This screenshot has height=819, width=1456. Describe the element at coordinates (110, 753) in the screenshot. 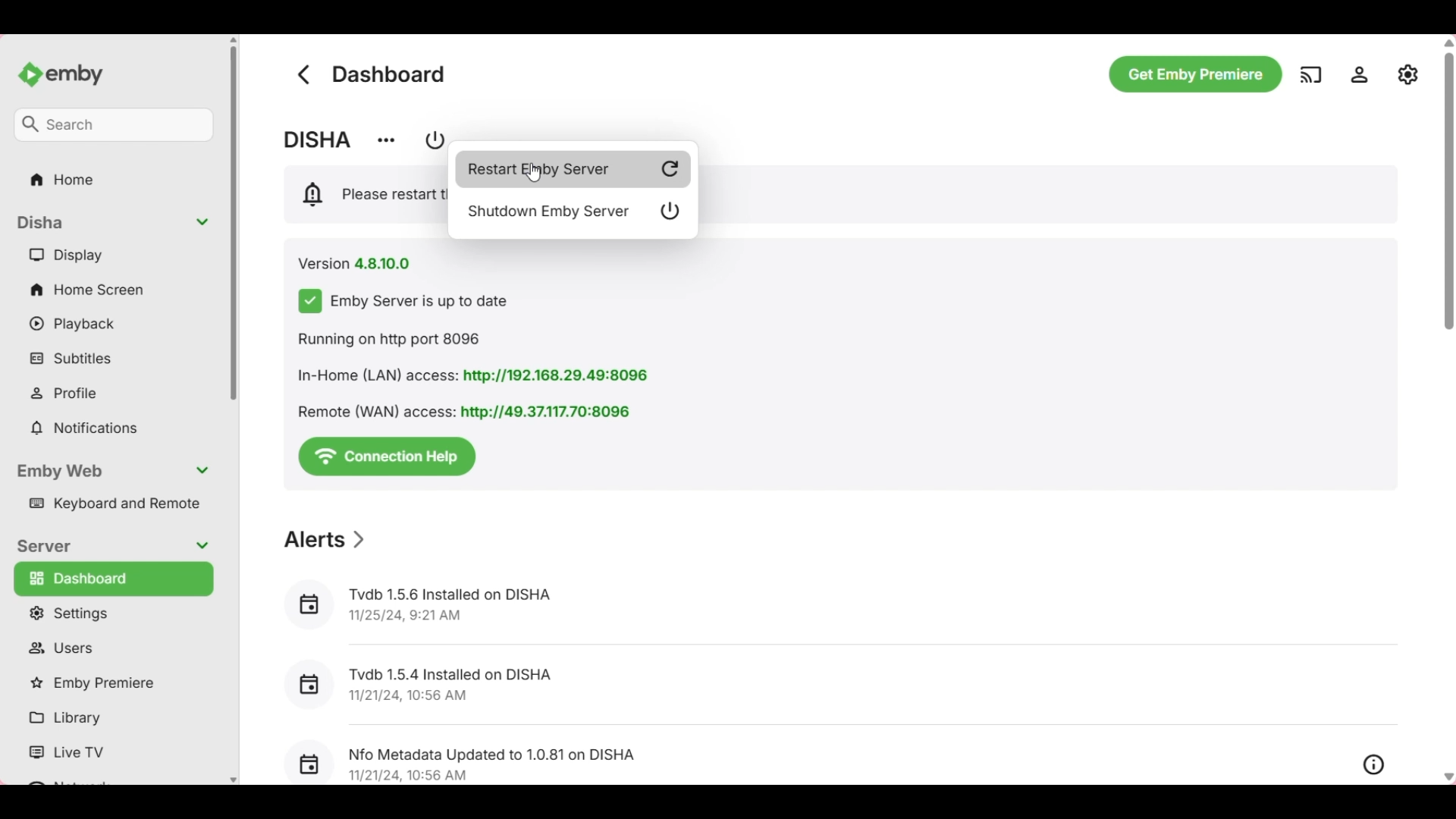

I see `Live TV` at that location.